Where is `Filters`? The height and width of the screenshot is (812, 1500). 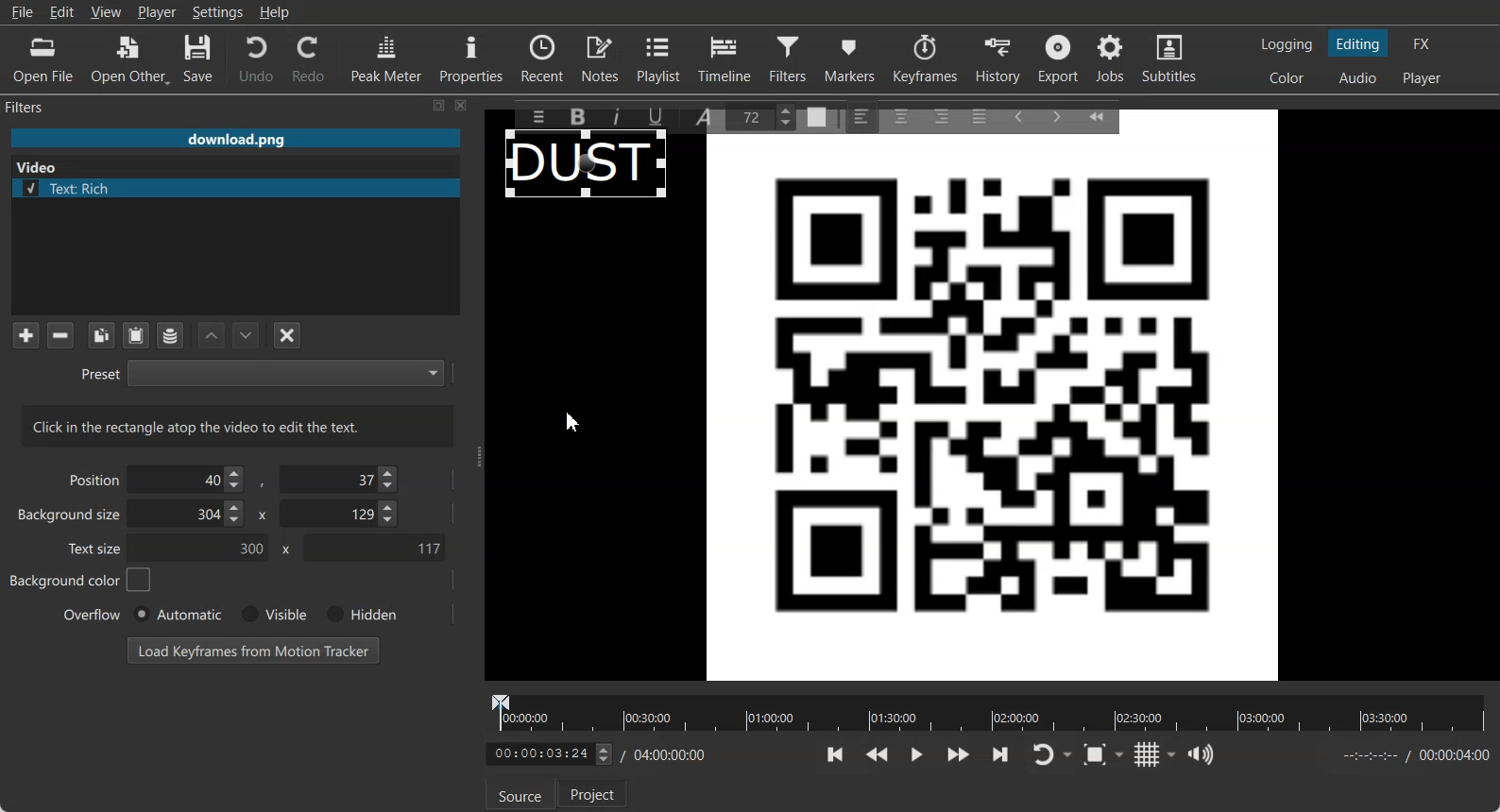 Filters is located at coordinates (791, 58).